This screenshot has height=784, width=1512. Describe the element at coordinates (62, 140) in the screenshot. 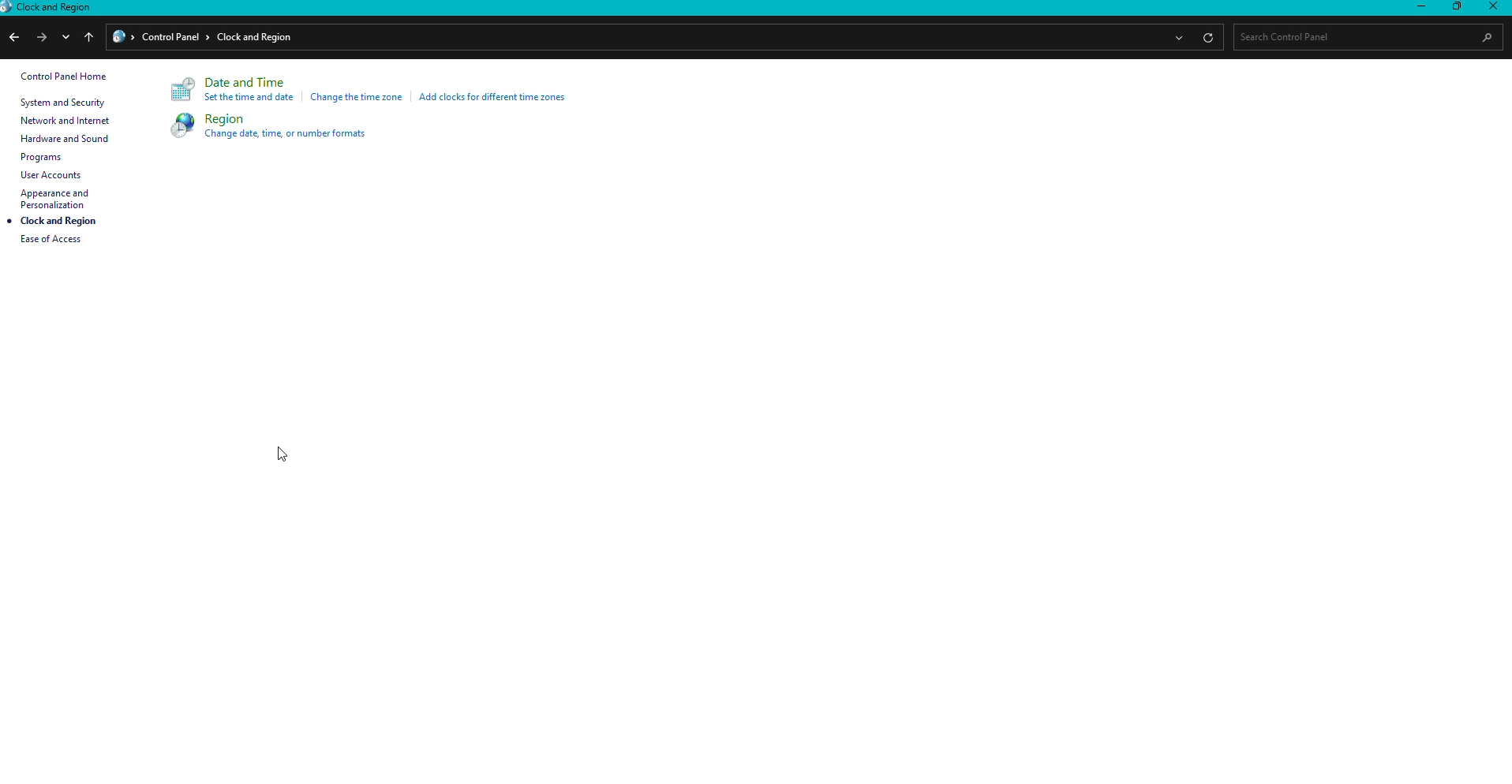

I see `Hardware and sound` at that location.